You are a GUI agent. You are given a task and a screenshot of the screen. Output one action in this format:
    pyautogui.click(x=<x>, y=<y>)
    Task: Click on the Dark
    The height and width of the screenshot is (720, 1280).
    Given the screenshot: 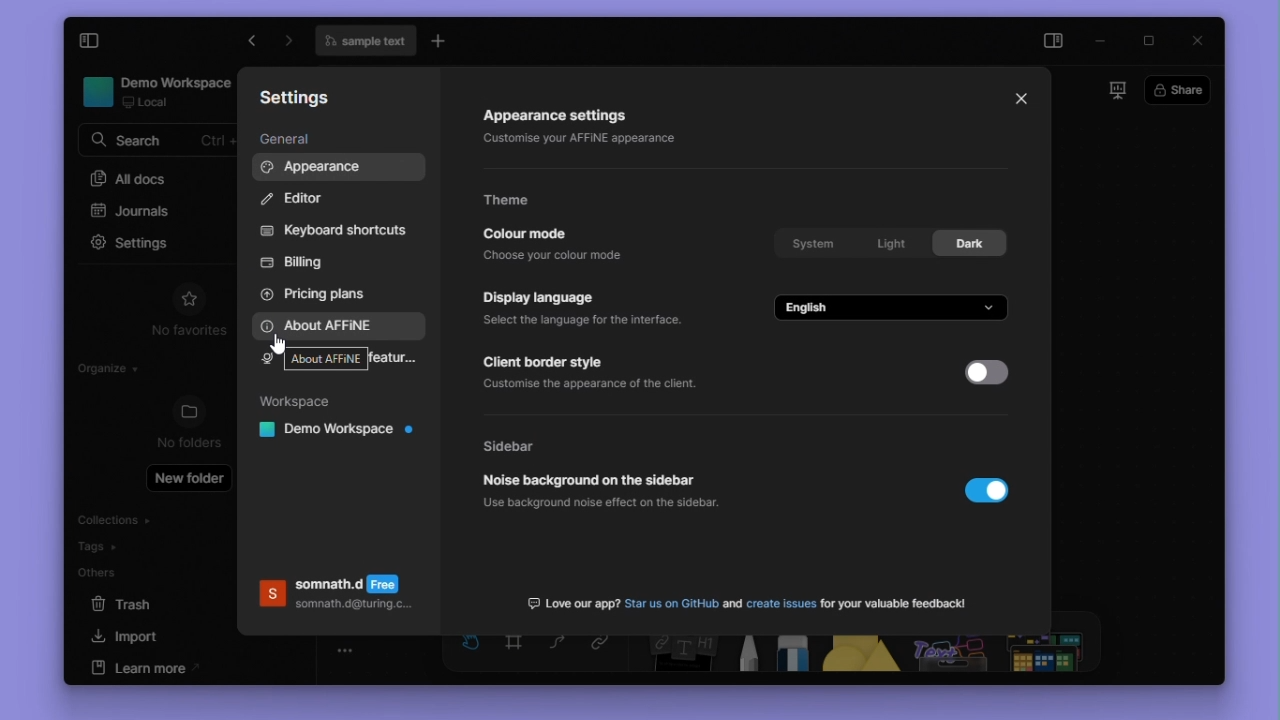 What is the action you would take?
    pyautogui.click(x=971, y=243)
    